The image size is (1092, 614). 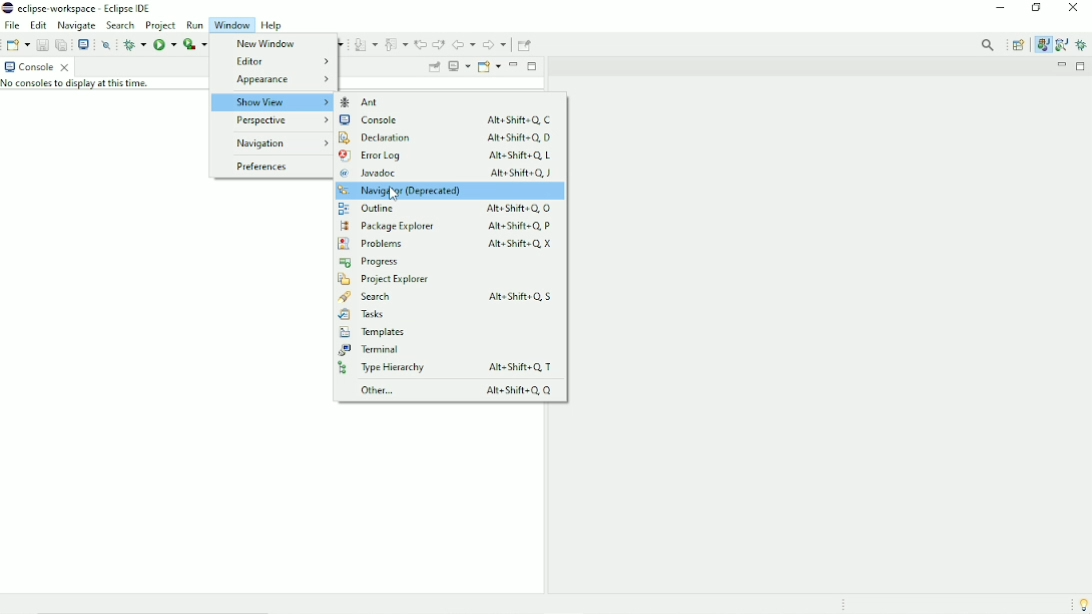 I want to click on Search, so click(x=121, y=26).